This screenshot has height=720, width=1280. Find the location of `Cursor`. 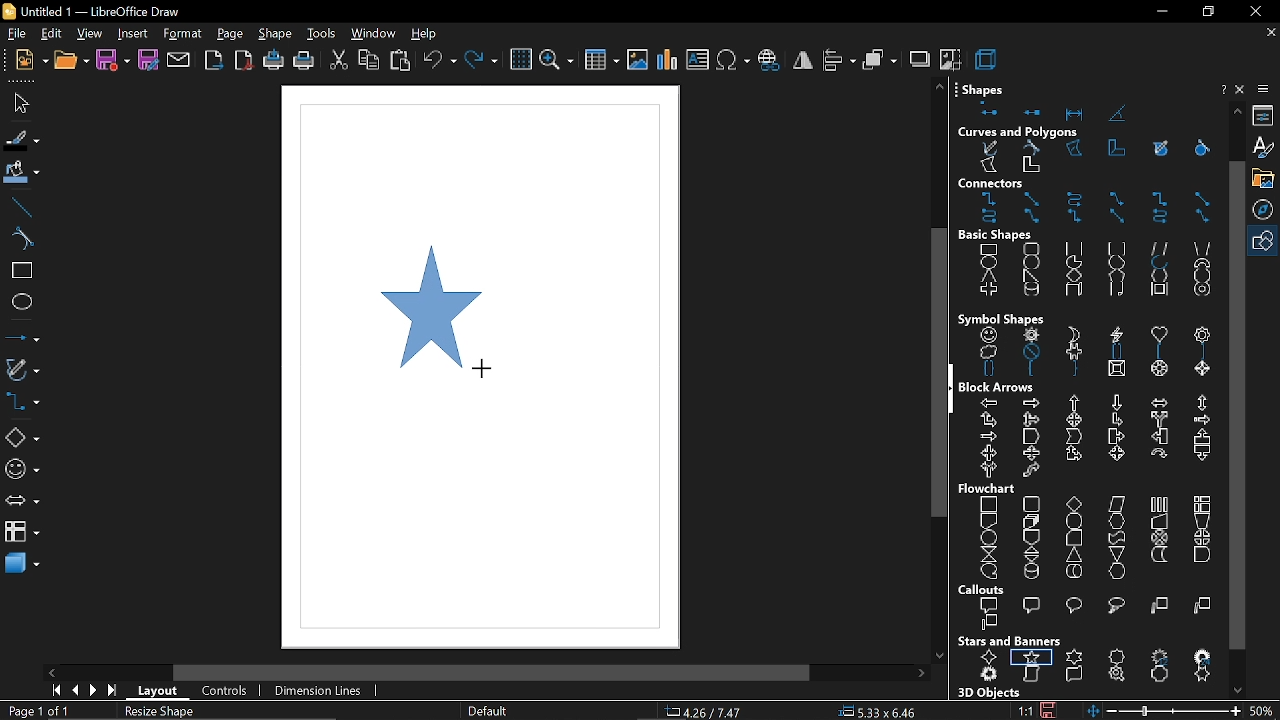

Cursor is located at coordinates (485, 371).